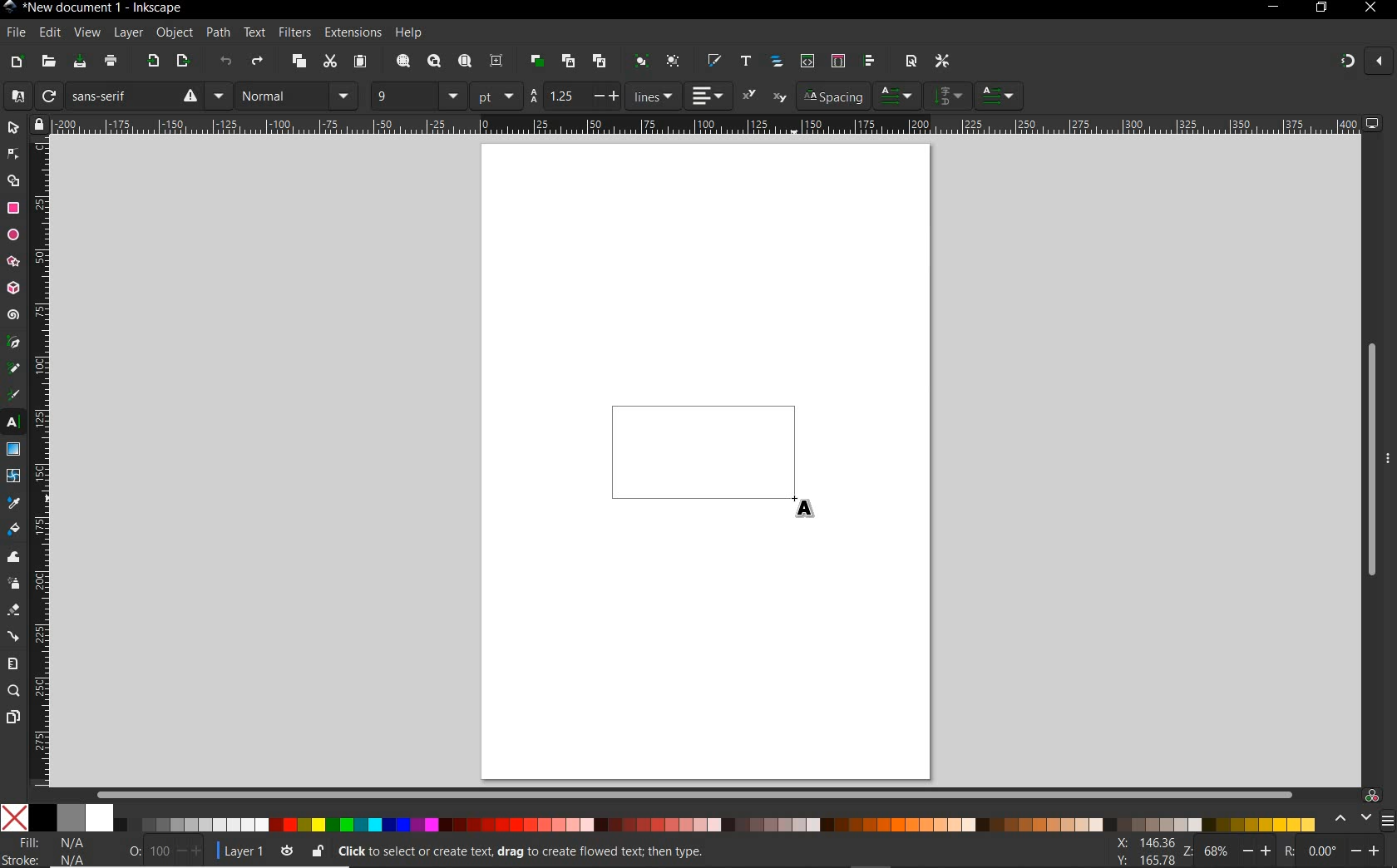  Describe the element at coordinates (13, 127) in the screenshot. I see `selector tool` at that location.